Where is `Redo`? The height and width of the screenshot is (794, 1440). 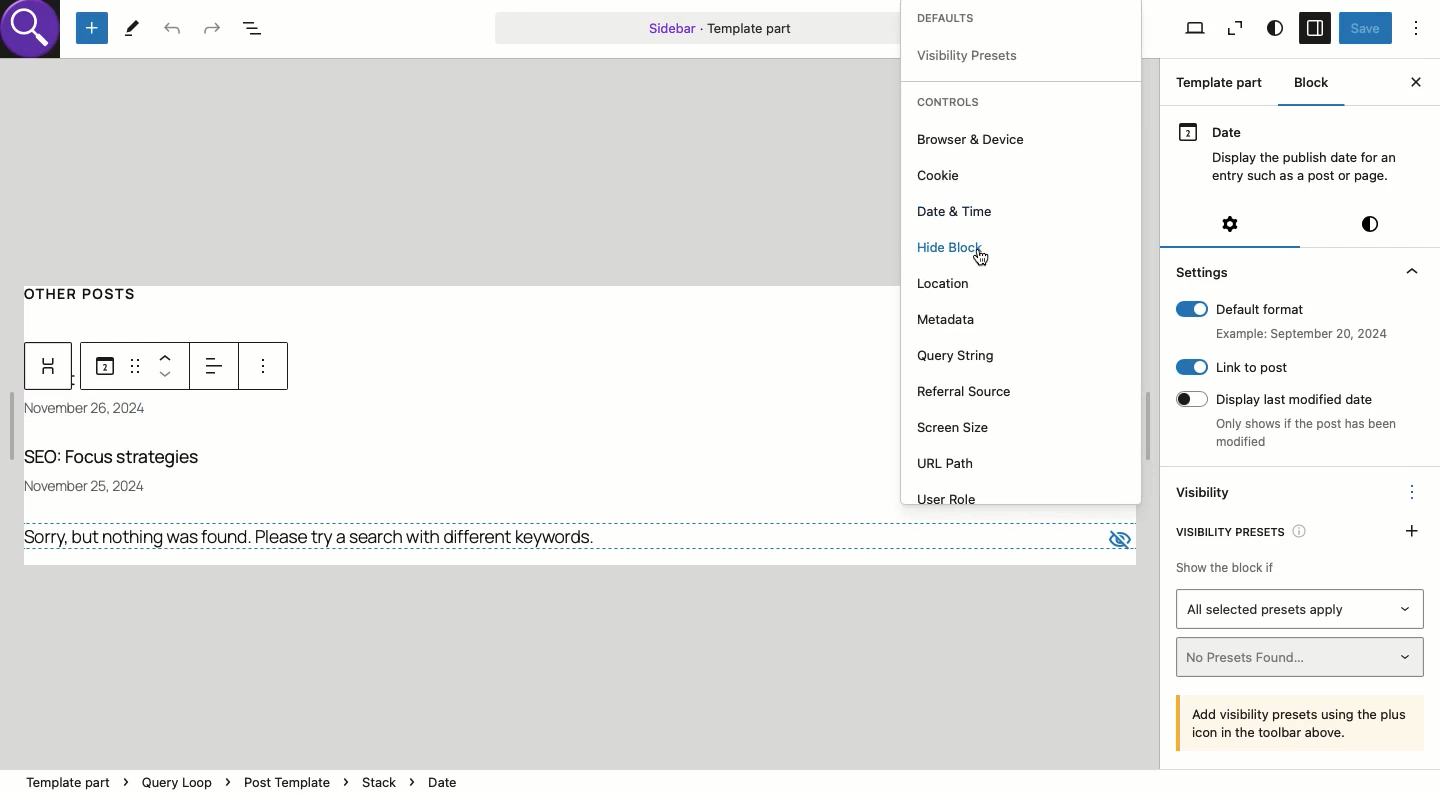
Redo is located at coordinates (211, 27).